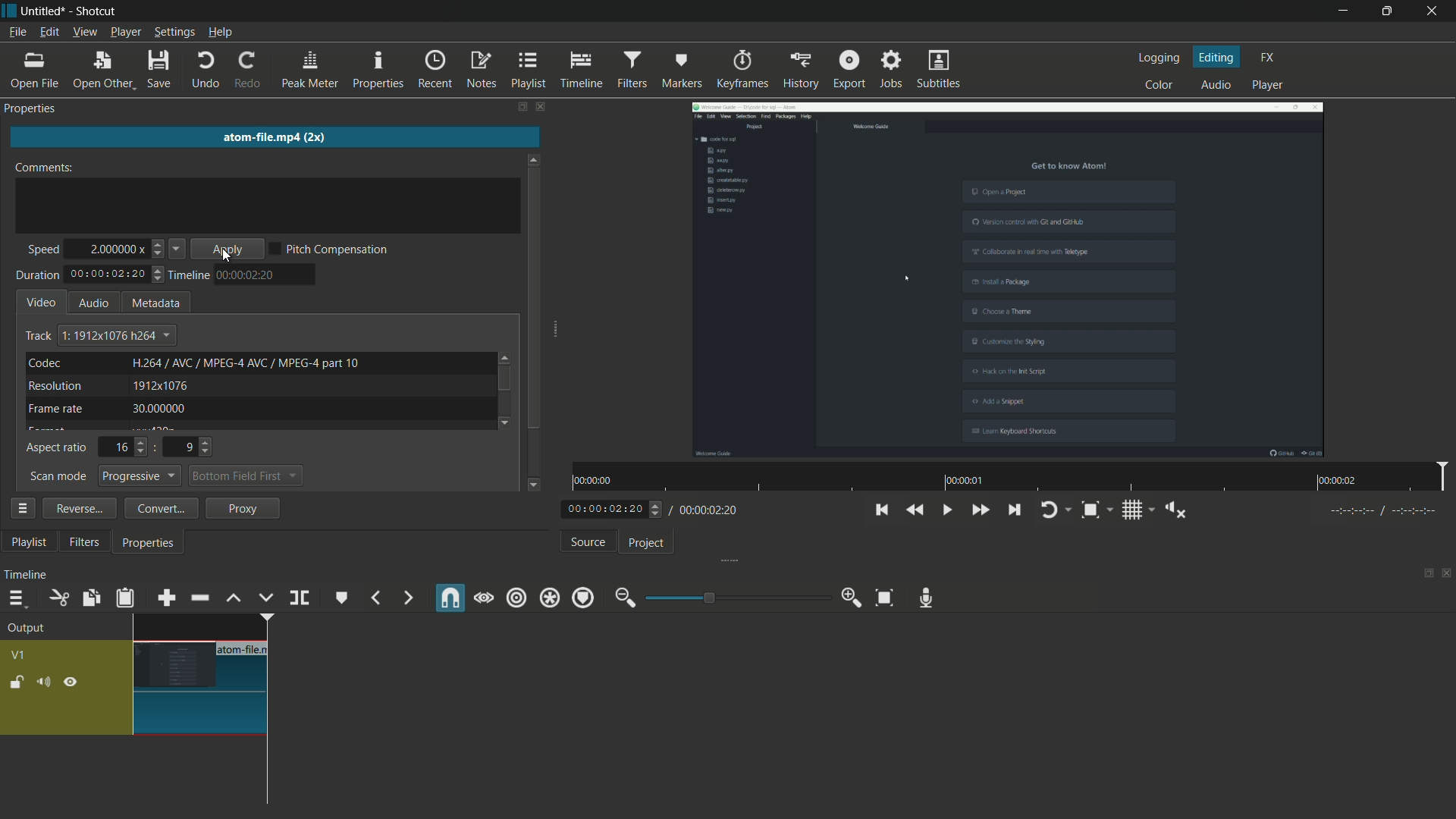 The image size is (1456, 819). Describe the element at coordinates (187, 447) in the screenshot. I see `9` at that location.